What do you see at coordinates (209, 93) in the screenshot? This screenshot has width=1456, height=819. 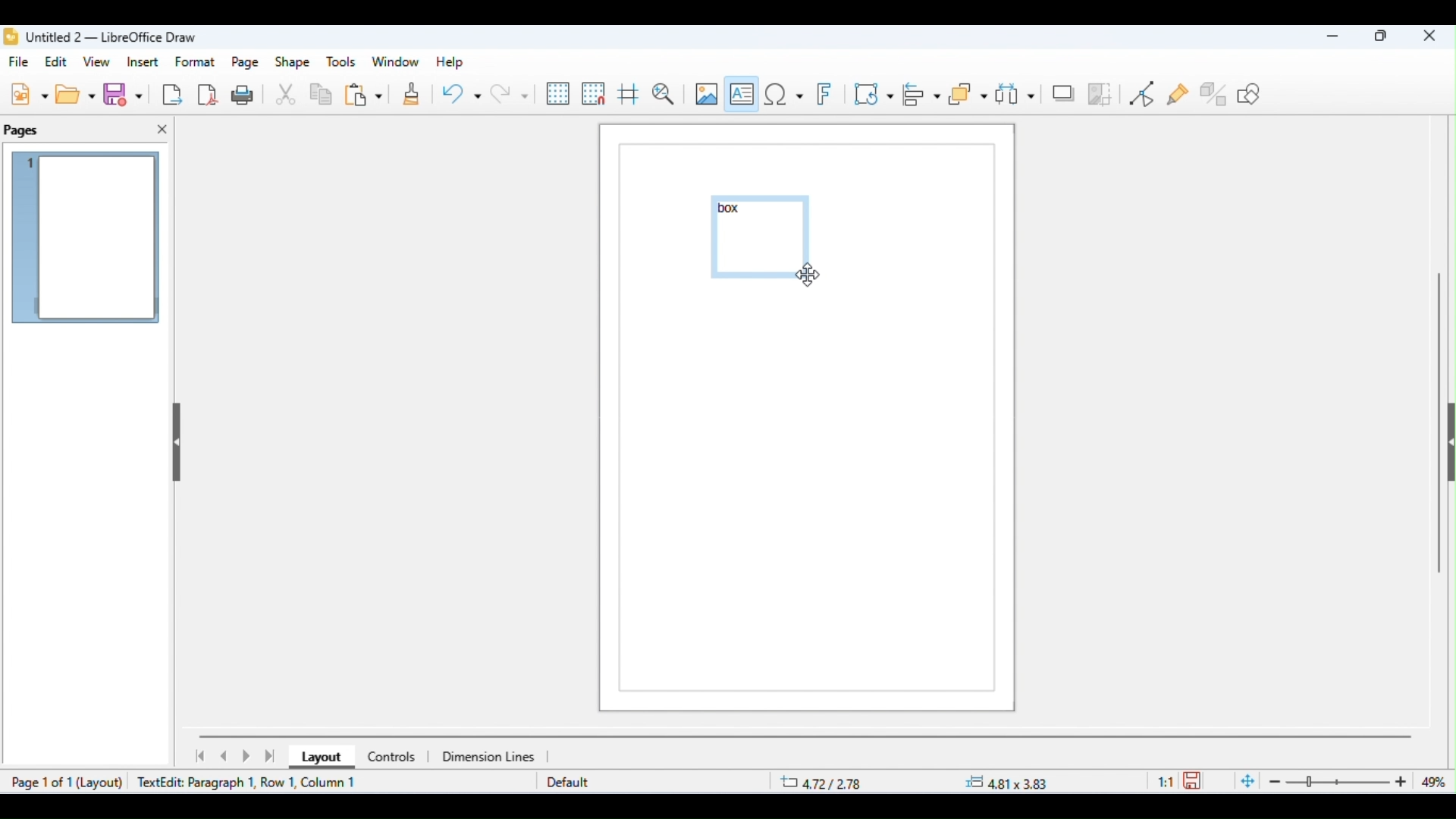 I see `export as pdf` at bounding box center [209, 93].